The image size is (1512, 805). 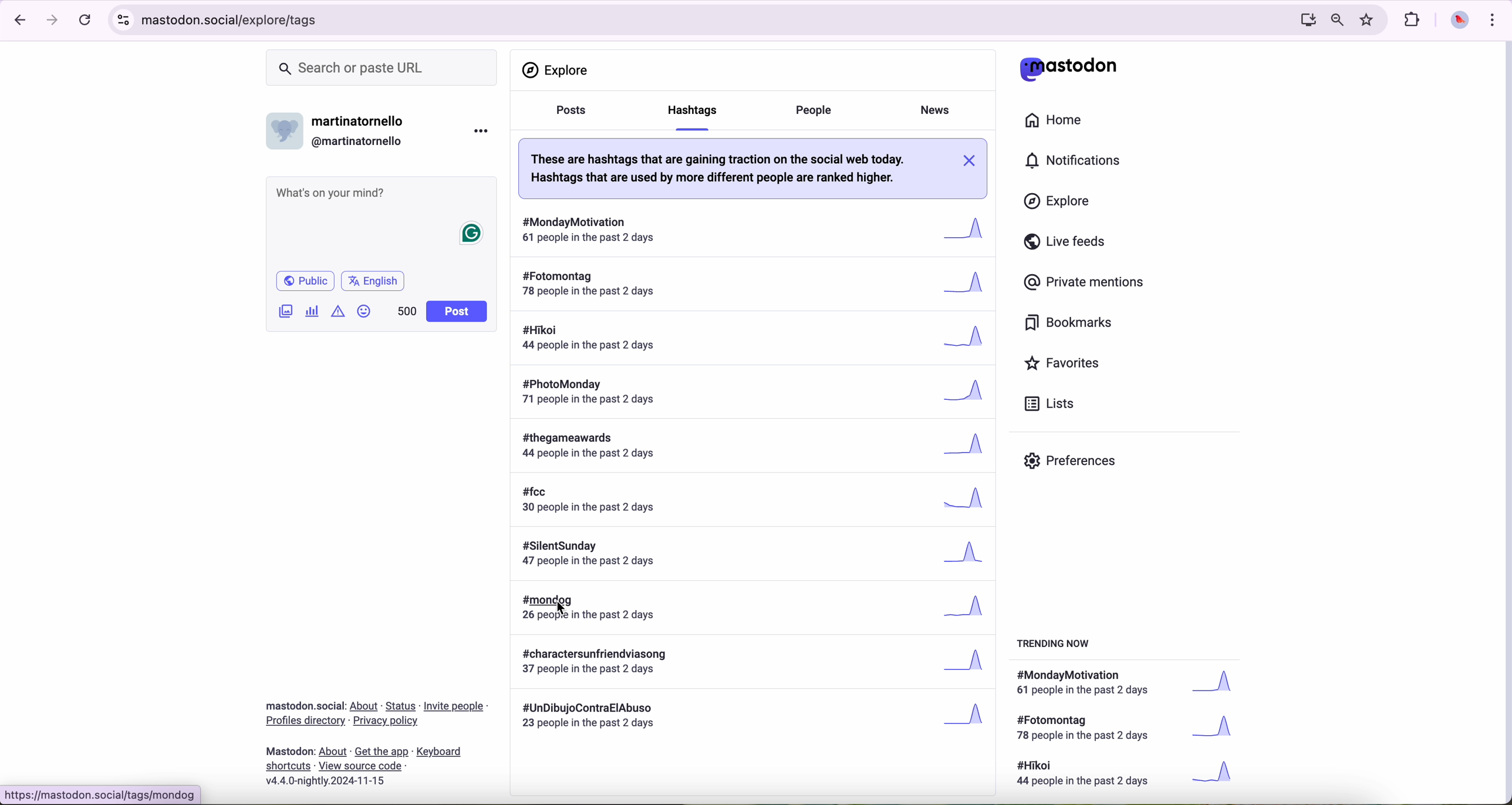 What do you see at coordinates (401, 707) in the screenshot?
I see `link` at bounding box center [401, 707].